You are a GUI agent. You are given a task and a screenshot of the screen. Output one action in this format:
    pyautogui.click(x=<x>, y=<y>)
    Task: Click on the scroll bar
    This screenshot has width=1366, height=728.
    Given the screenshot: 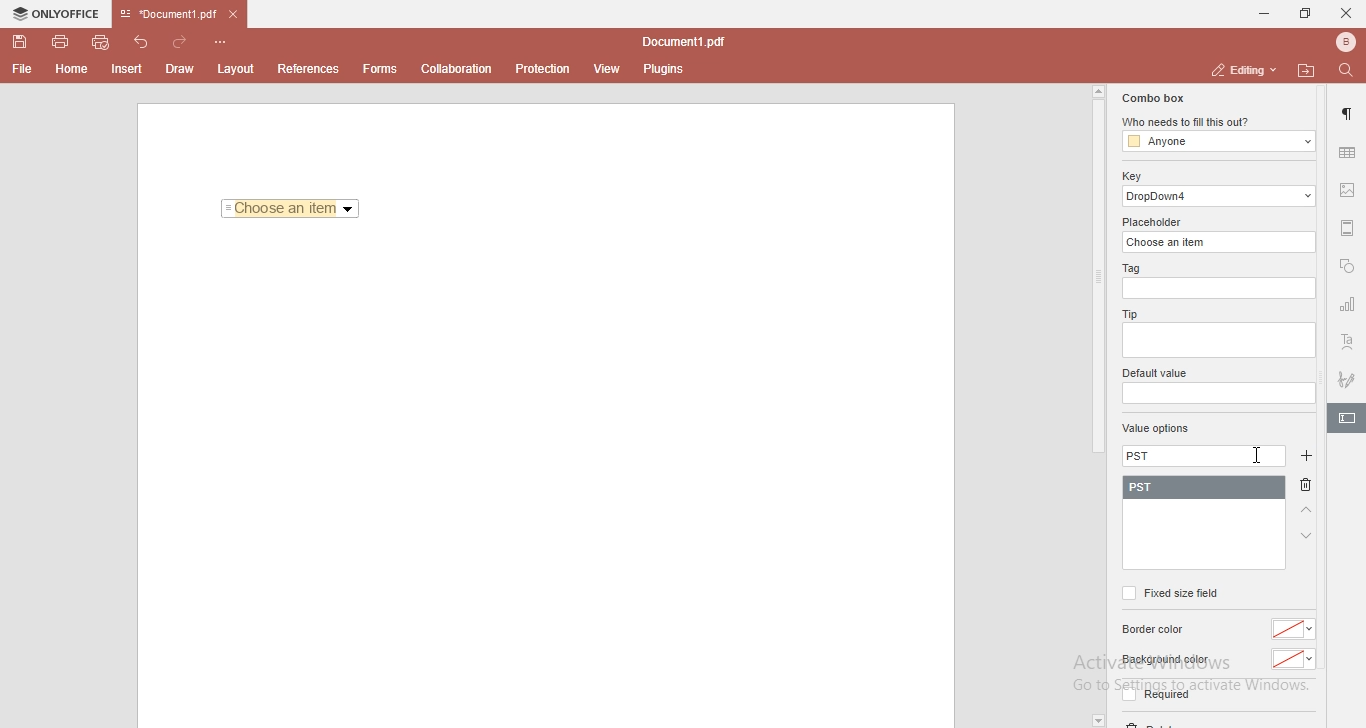 What is the action you would take?
    pyautogui.click(x=1097, y=270)
    